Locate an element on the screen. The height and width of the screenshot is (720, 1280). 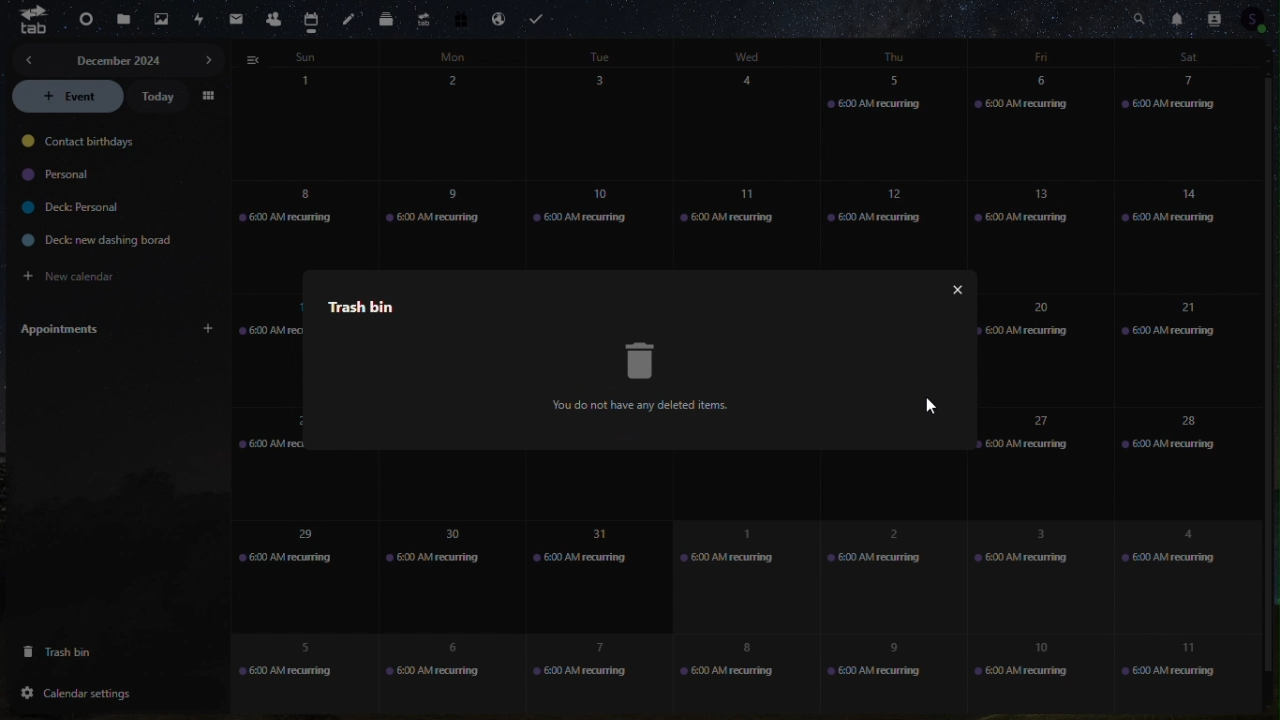
deck is located at coordinates (385, 19).